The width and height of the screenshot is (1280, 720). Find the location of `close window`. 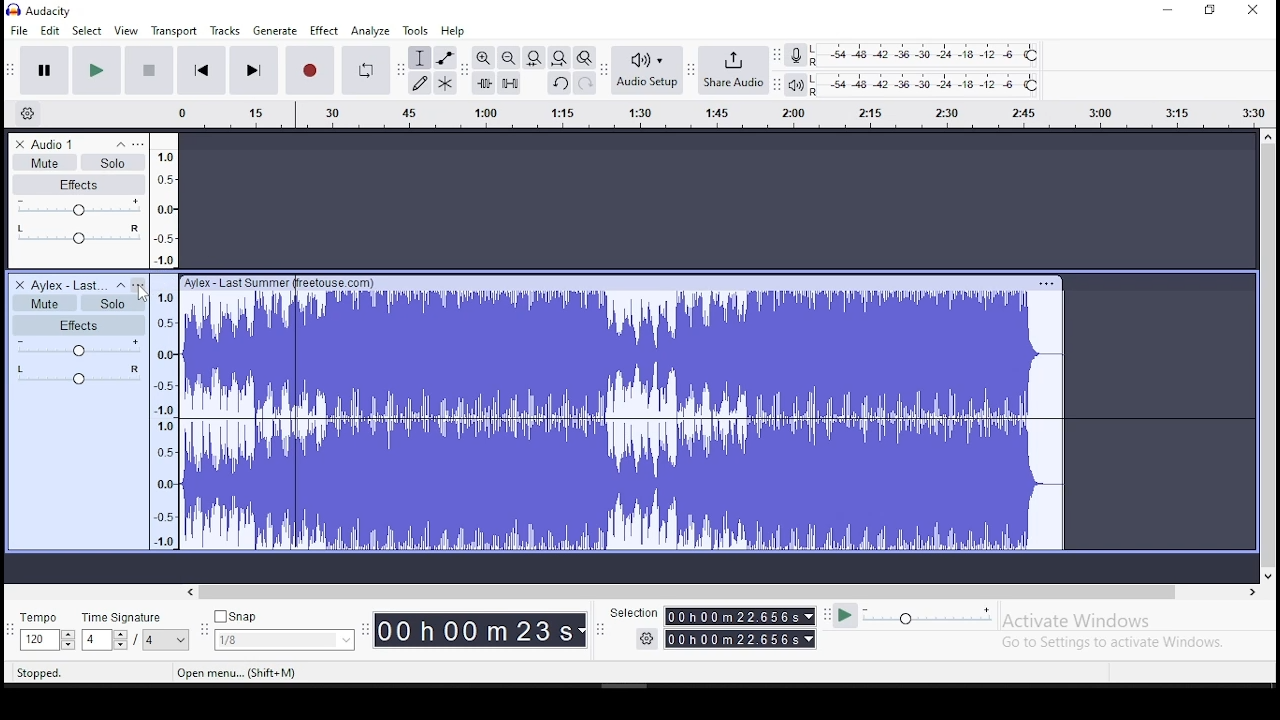

close window is located at coordinates (1256, 9).